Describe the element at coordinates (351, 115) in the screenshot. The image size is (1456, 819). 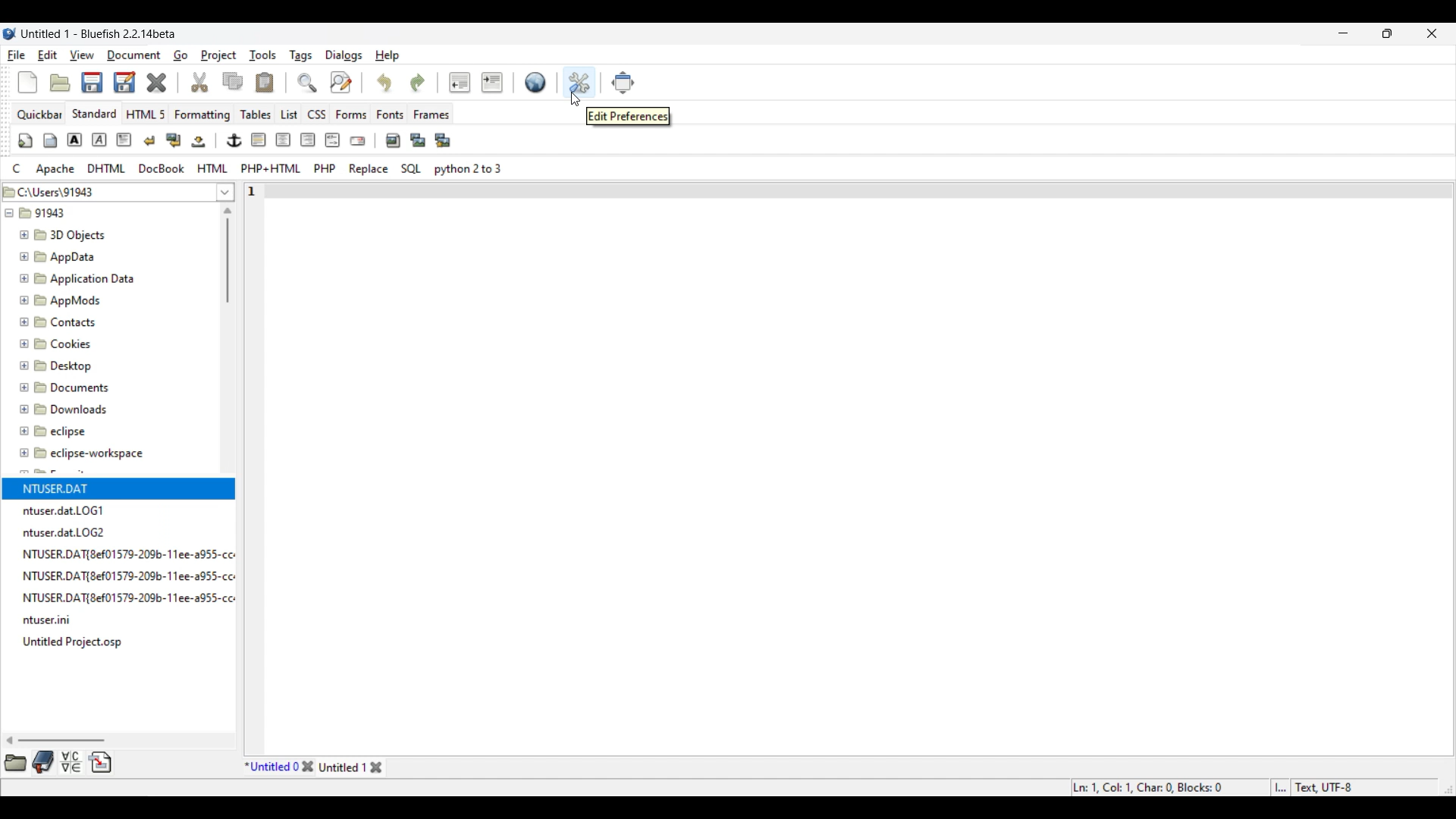
I see `Forms` at that location.